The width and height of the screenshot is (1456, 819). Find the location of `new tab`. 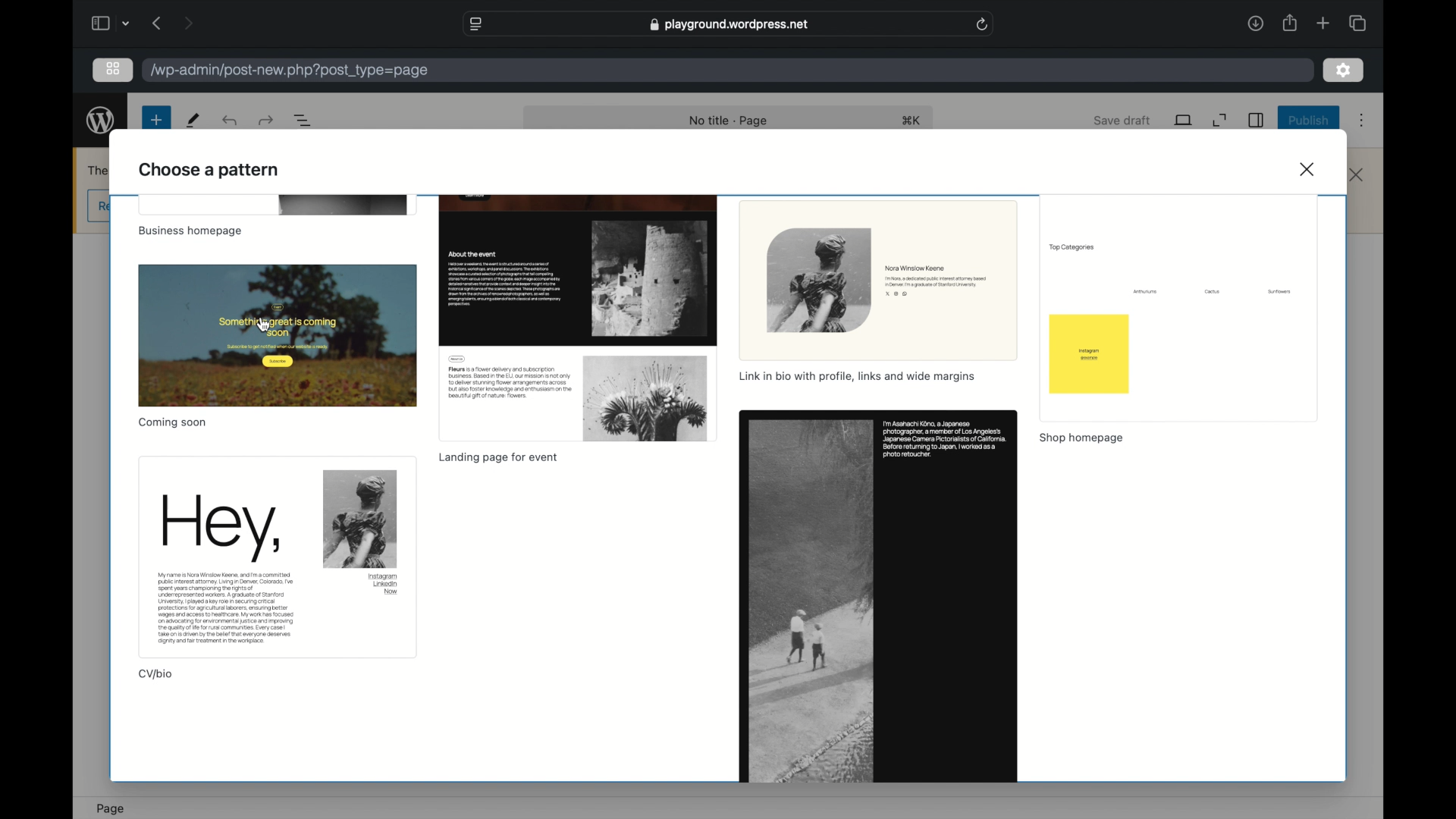

new tab is located at coordinates (1323, 23).